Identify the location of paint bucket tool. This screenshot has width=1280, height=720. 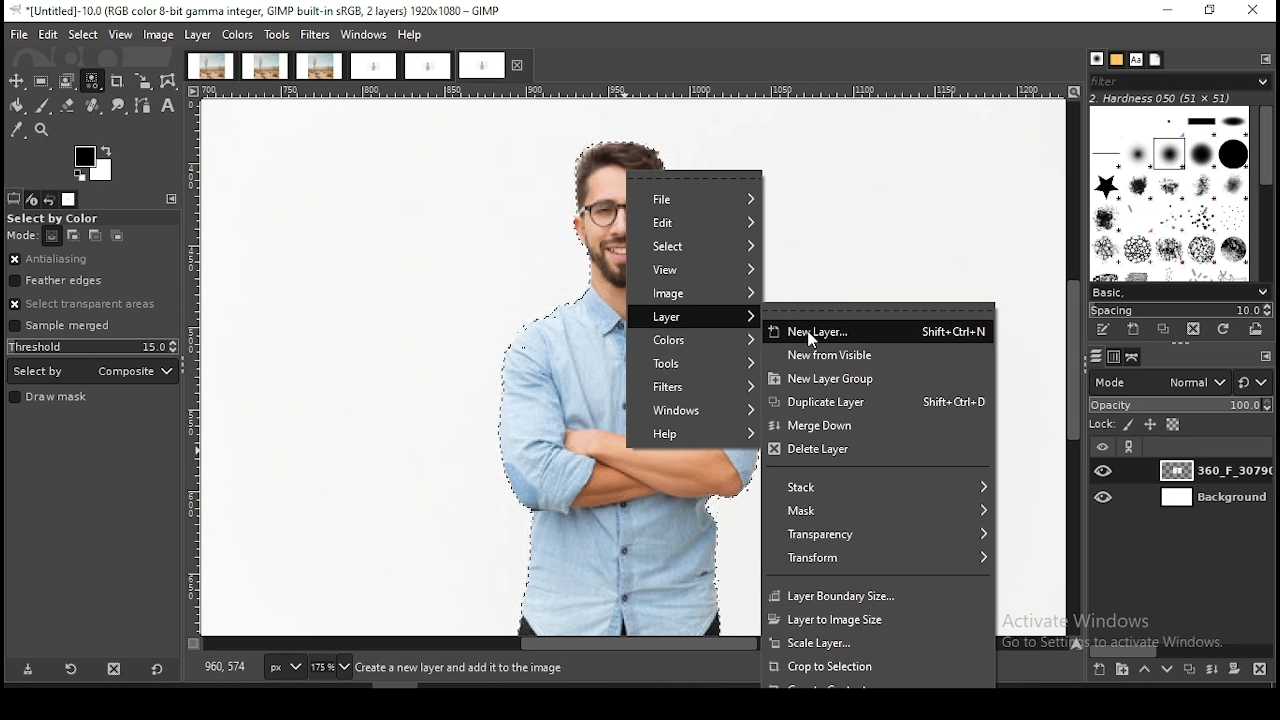
(15, 106).